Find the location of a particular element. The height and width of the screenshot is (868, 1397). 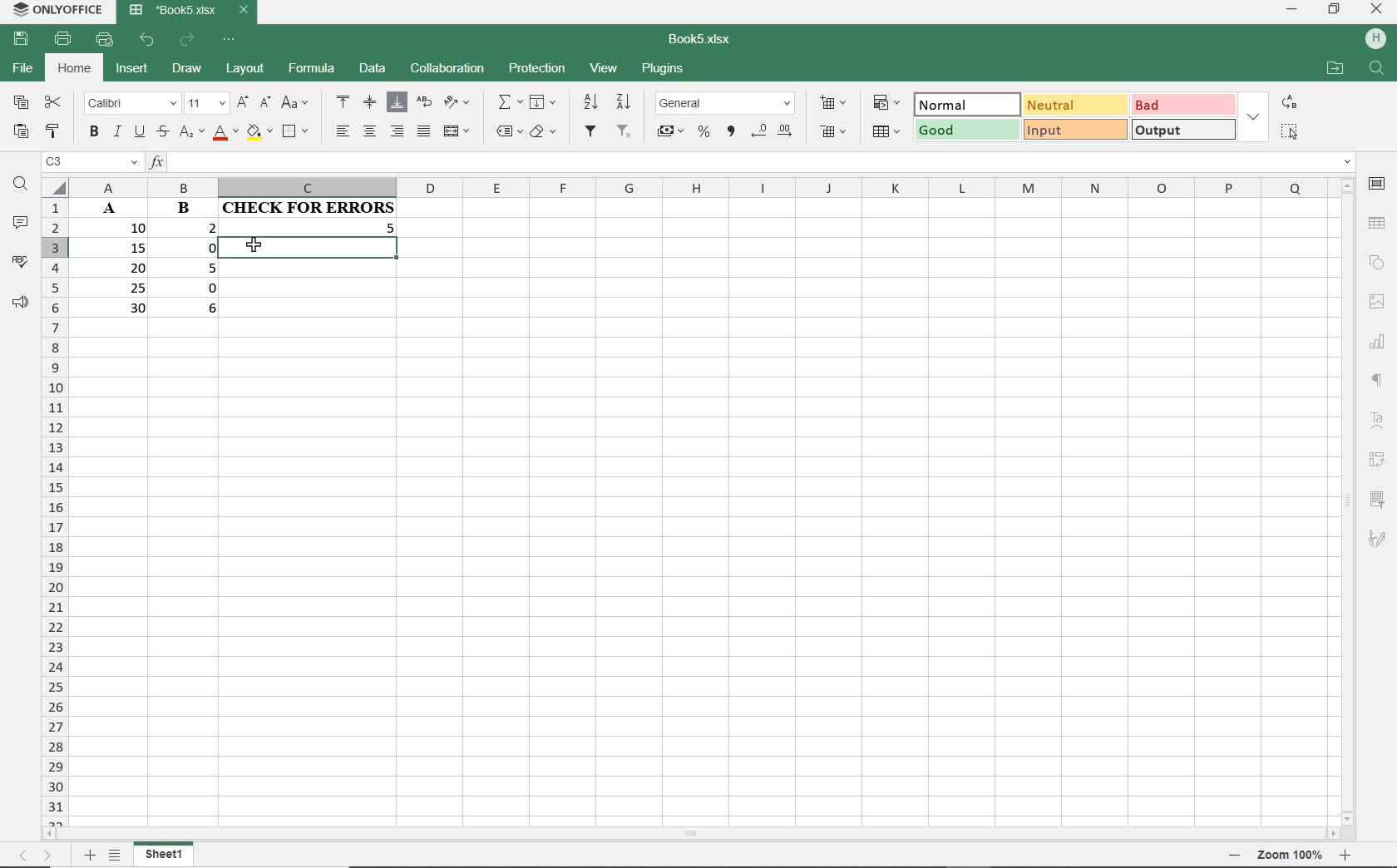

 is located at coordinates (1380, 424).